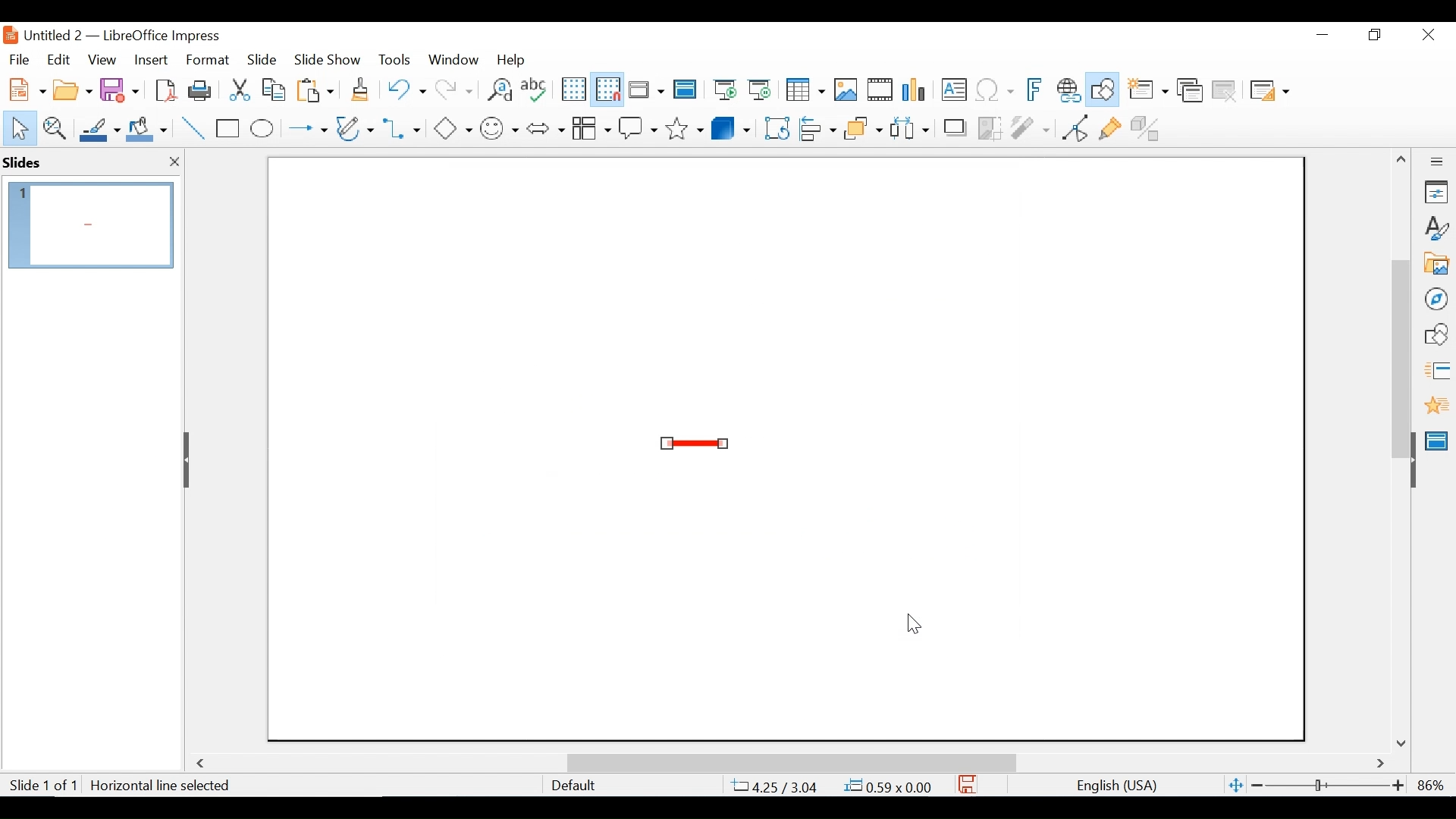  I want to click on Open, so click(72, 88).